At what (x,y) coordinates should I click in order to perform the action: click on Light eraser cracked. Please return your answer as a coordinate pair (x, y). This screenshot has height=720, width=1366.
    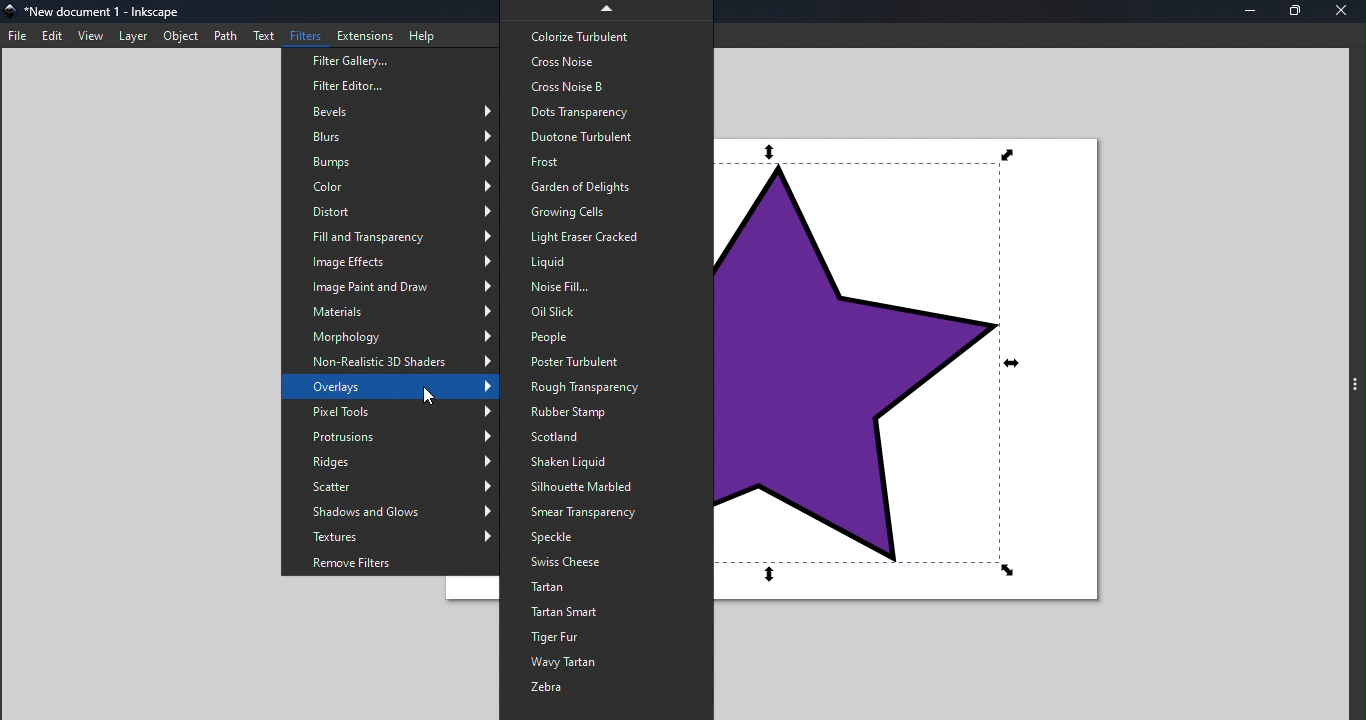
    Looking at the image, I should click on (601, 237).